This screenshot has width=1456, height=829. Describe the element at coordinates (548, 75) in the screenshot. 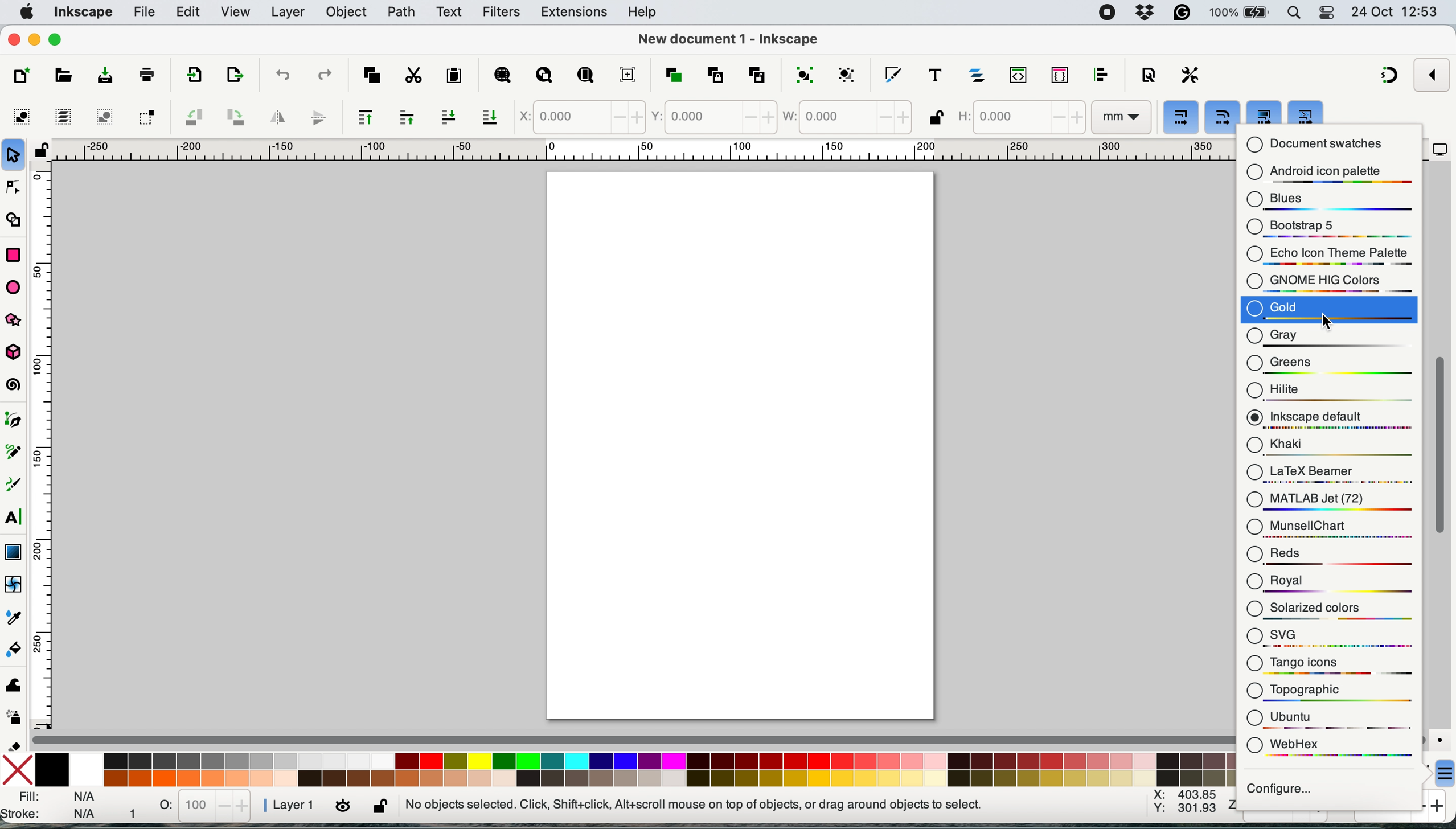

I see `zoom drawing` at that location.